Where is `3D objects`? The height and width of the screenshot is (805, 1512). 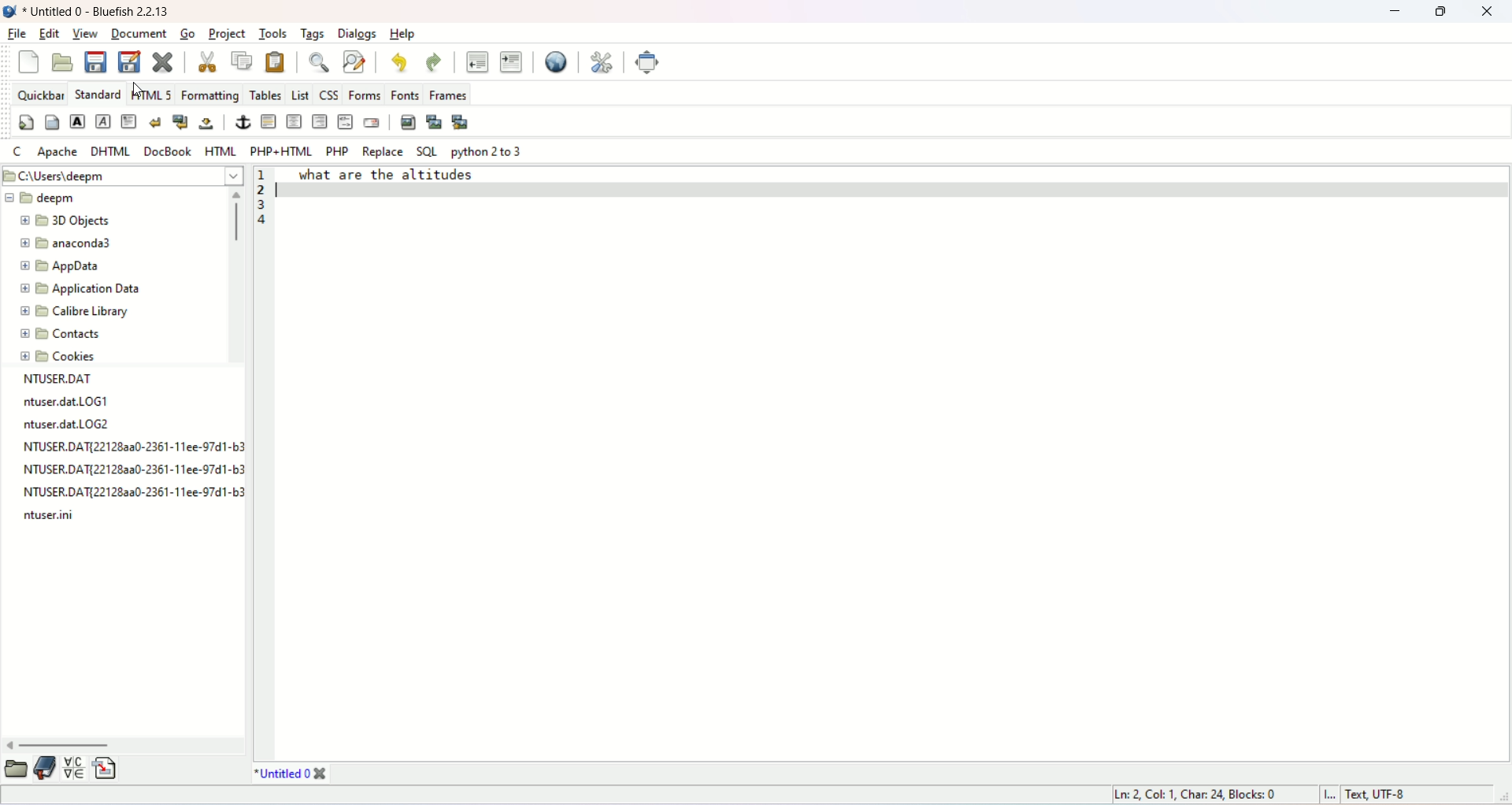 3D objects is located at coordinates (64, 222).